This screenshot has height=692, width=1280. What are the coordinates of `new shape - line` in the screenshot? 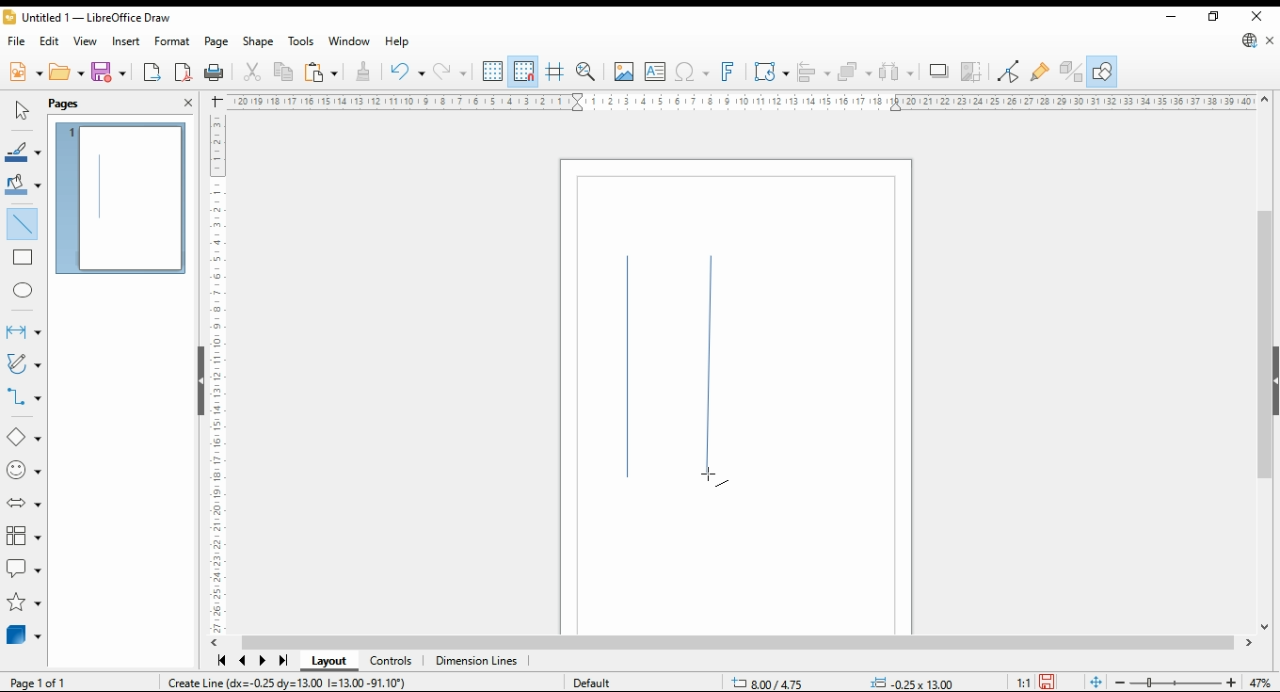 It's located at (709, 369).